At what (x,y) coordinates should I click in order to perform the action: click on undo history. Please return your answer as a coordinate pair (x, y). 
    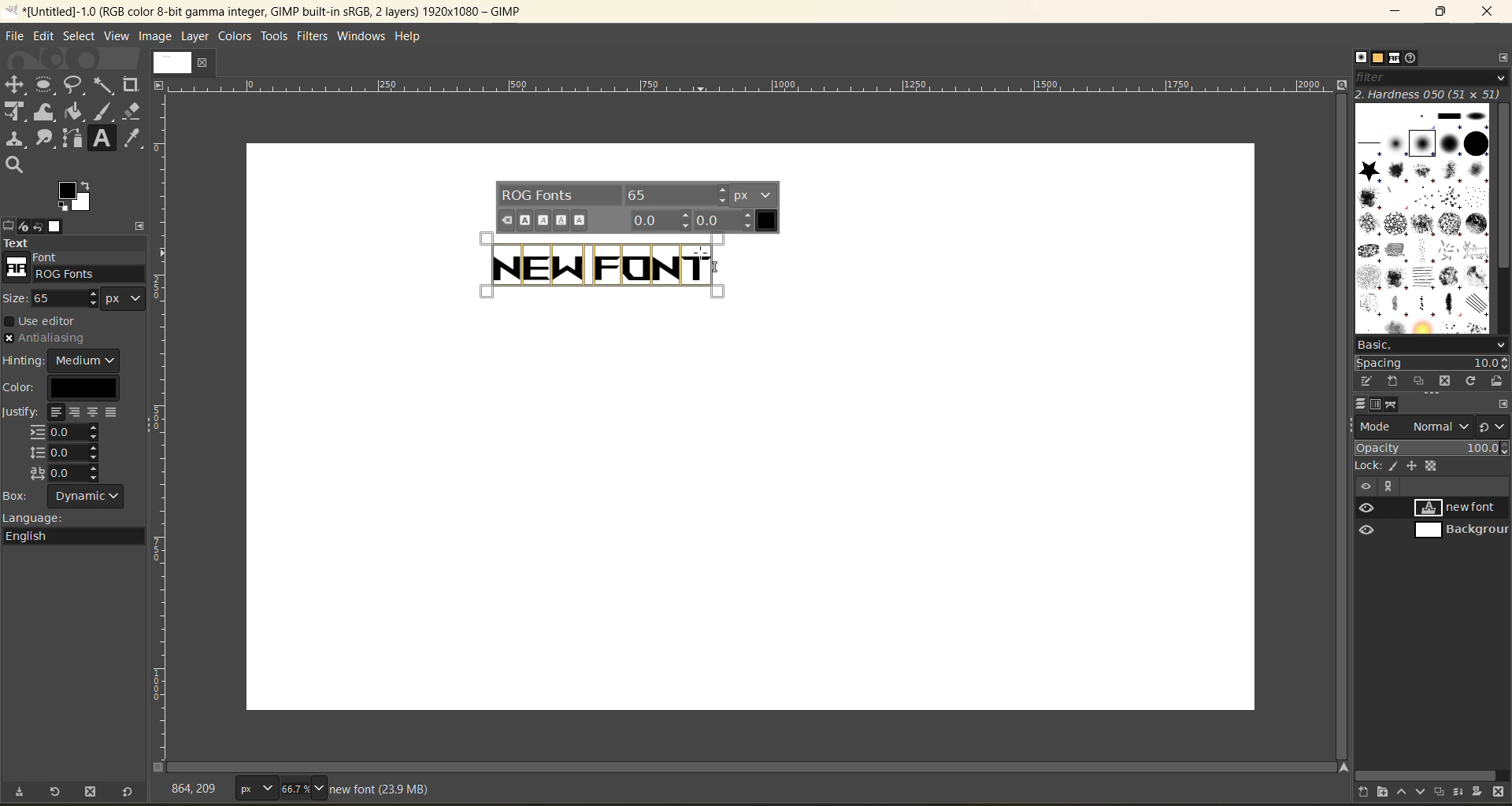
    Looking at the image, I should click on (36, 224).